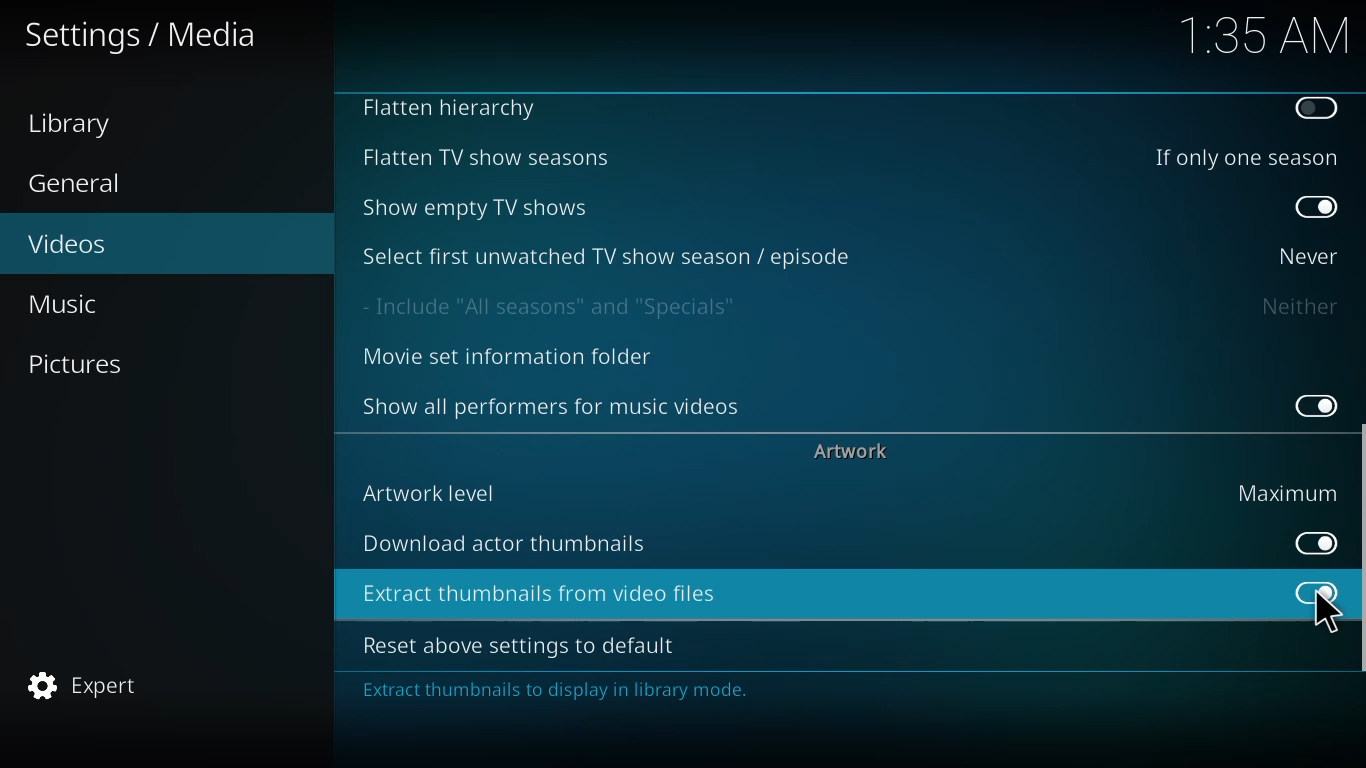 The image size is (1366, 768). What do you see at coordinates (1310, 402) in the screenshot?
I see `enabled` at bounding box center [1310, 402].